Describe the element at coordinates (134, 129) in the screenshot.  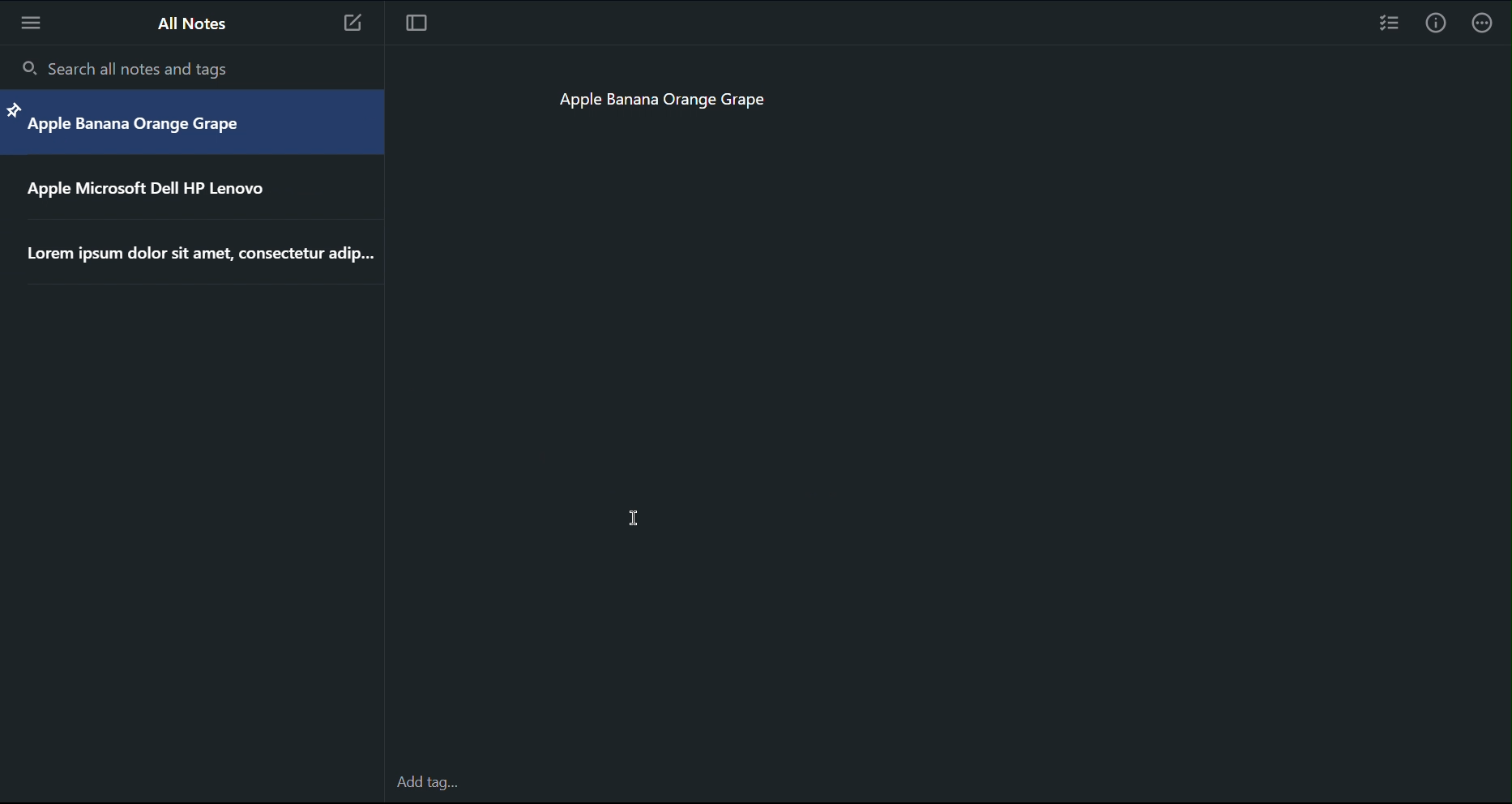
I see `apple Banana Orange Grape` at that location.